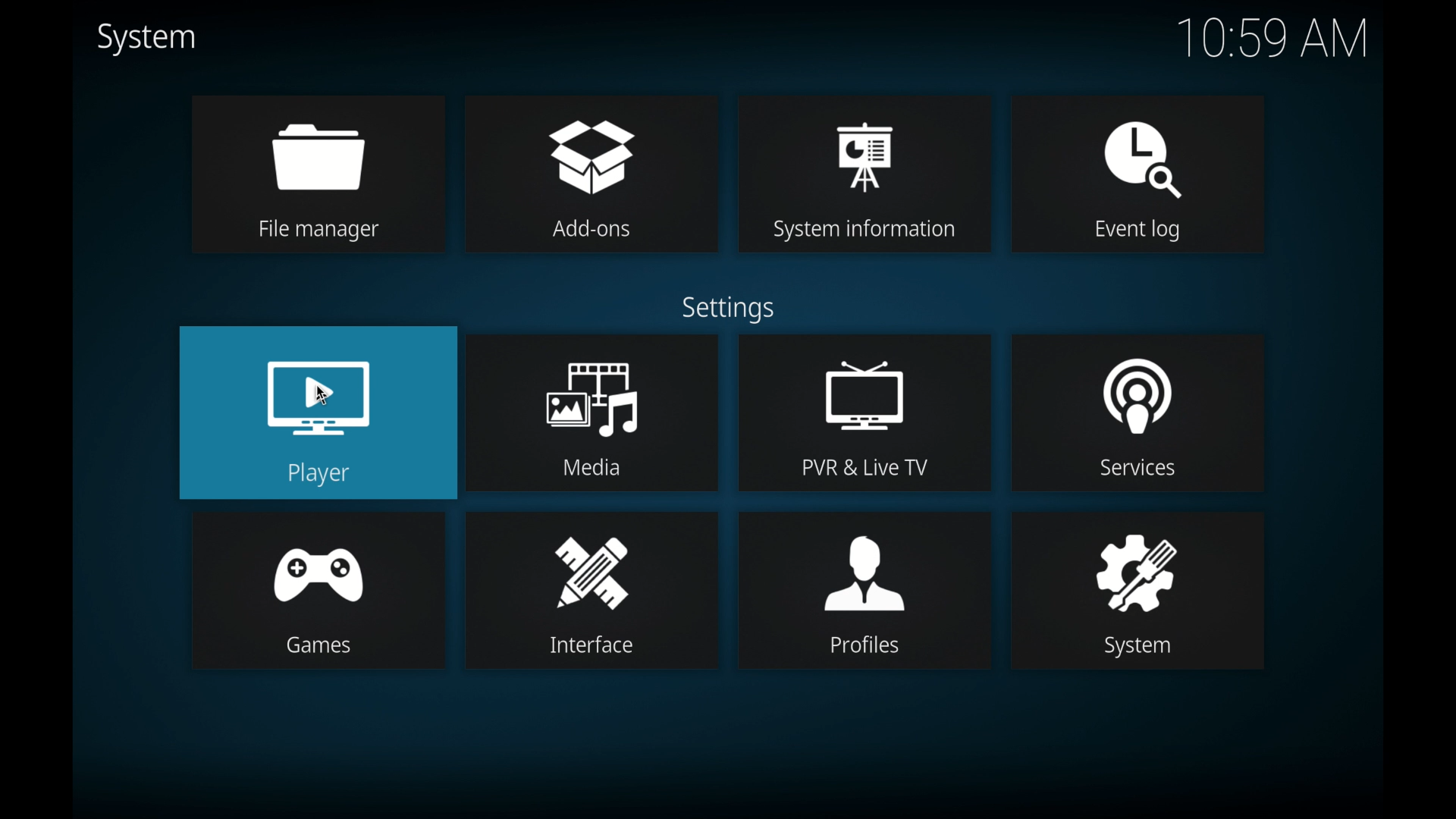  I want to click on file manager, so click(317, 174).